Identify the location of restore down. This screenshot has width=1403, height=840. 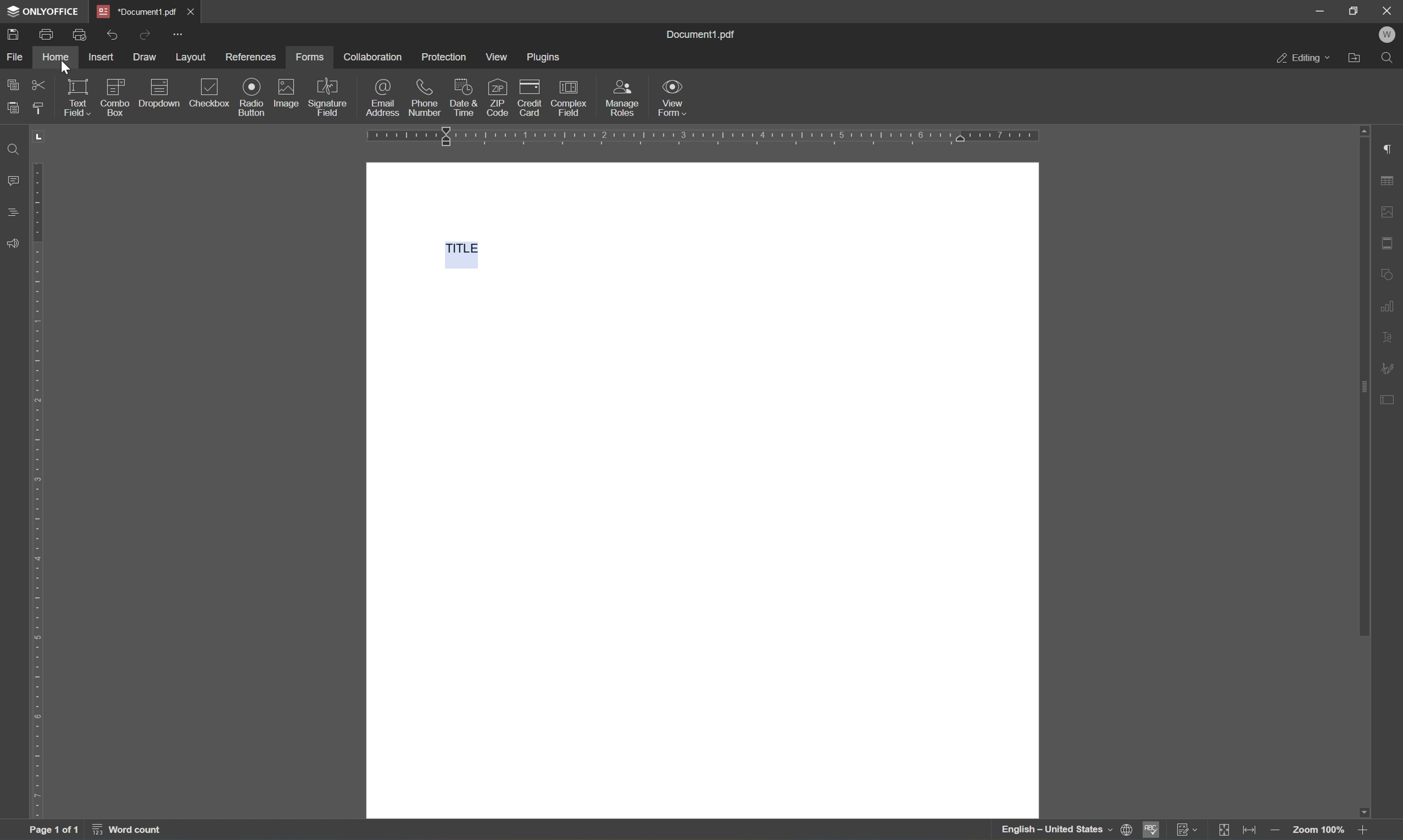
(1355, 11).